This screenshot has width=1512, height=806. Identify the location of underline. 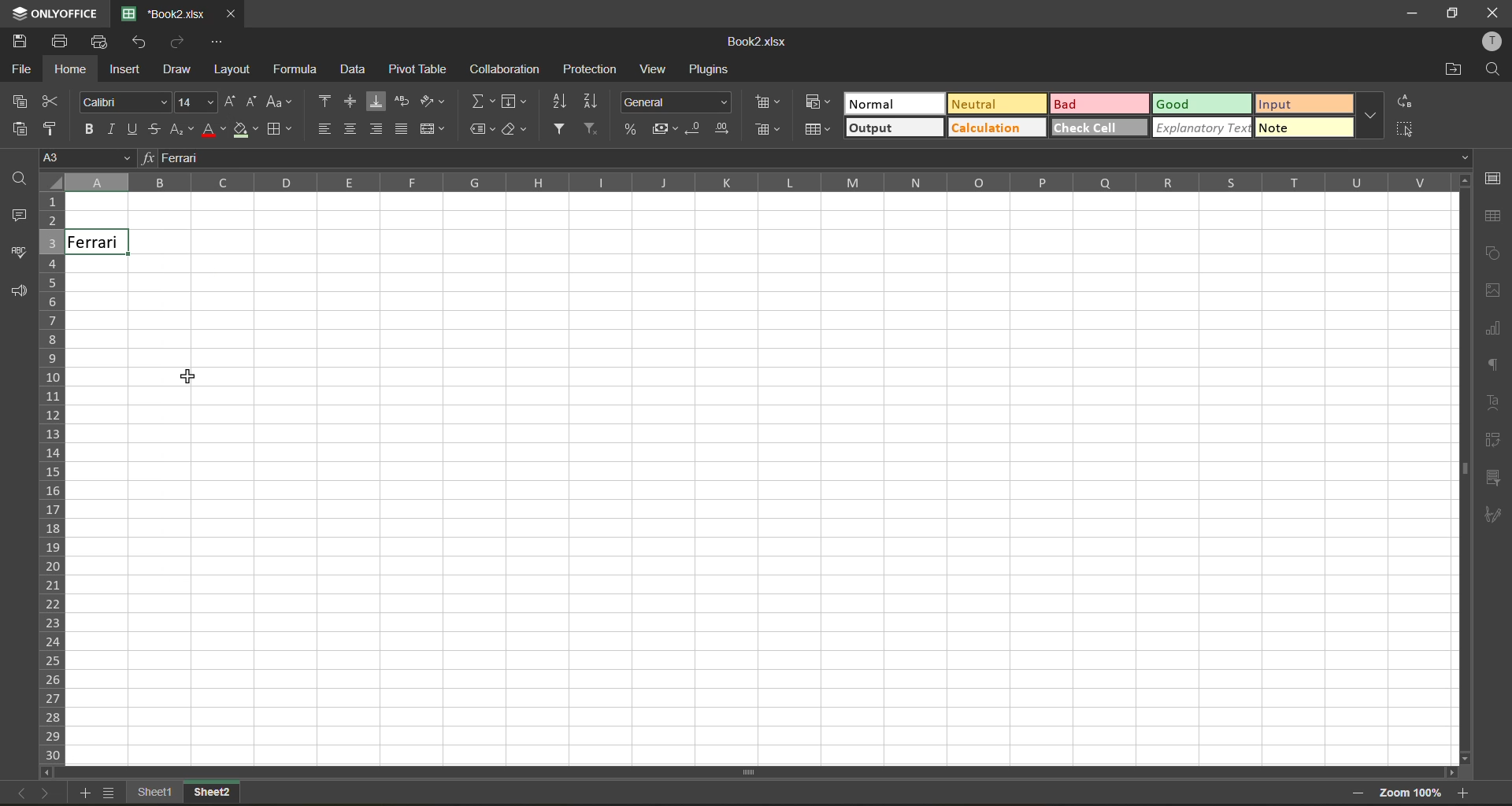
(137, 127).